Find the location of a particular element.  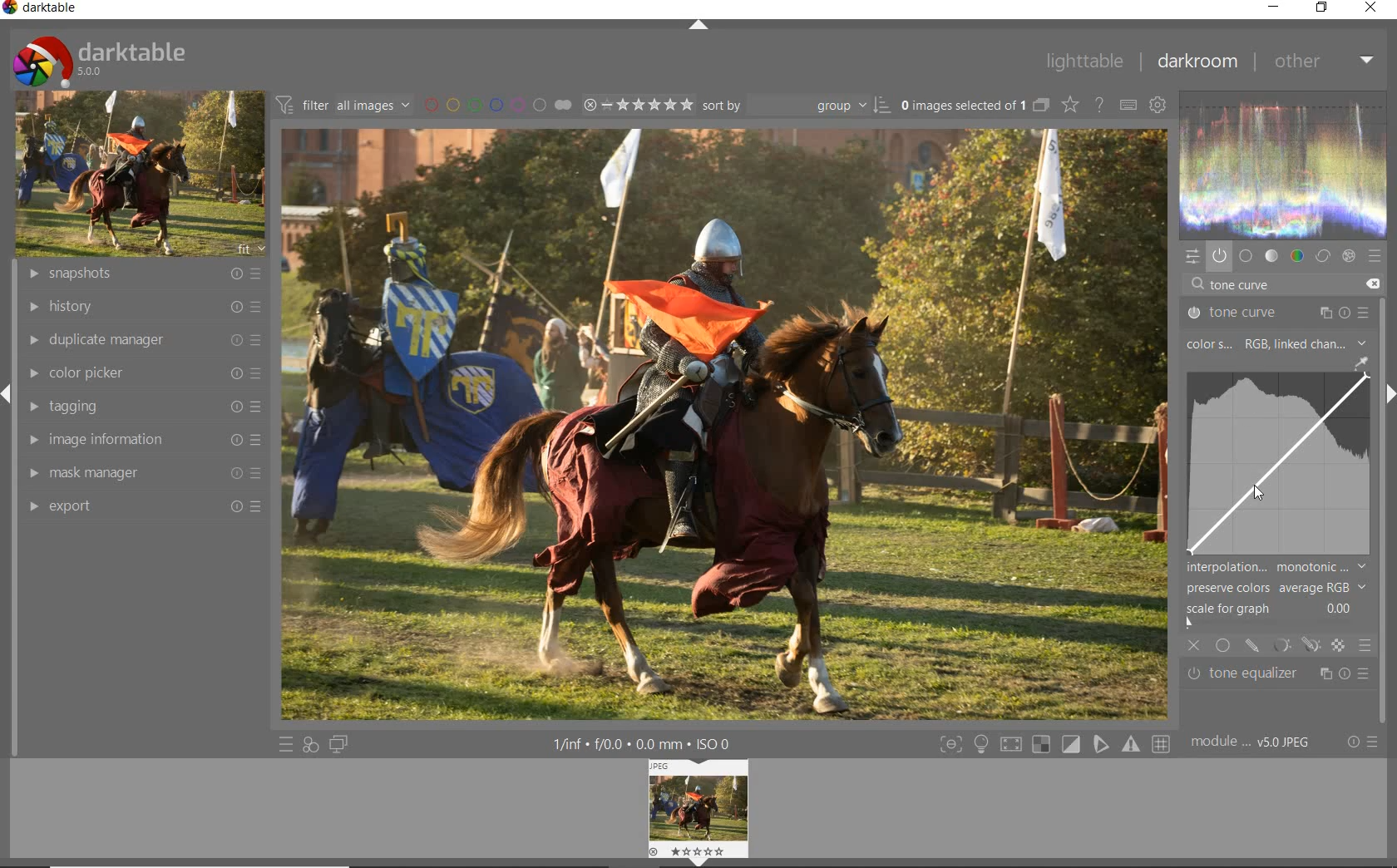

correct is located at coordinates (1323, 256).